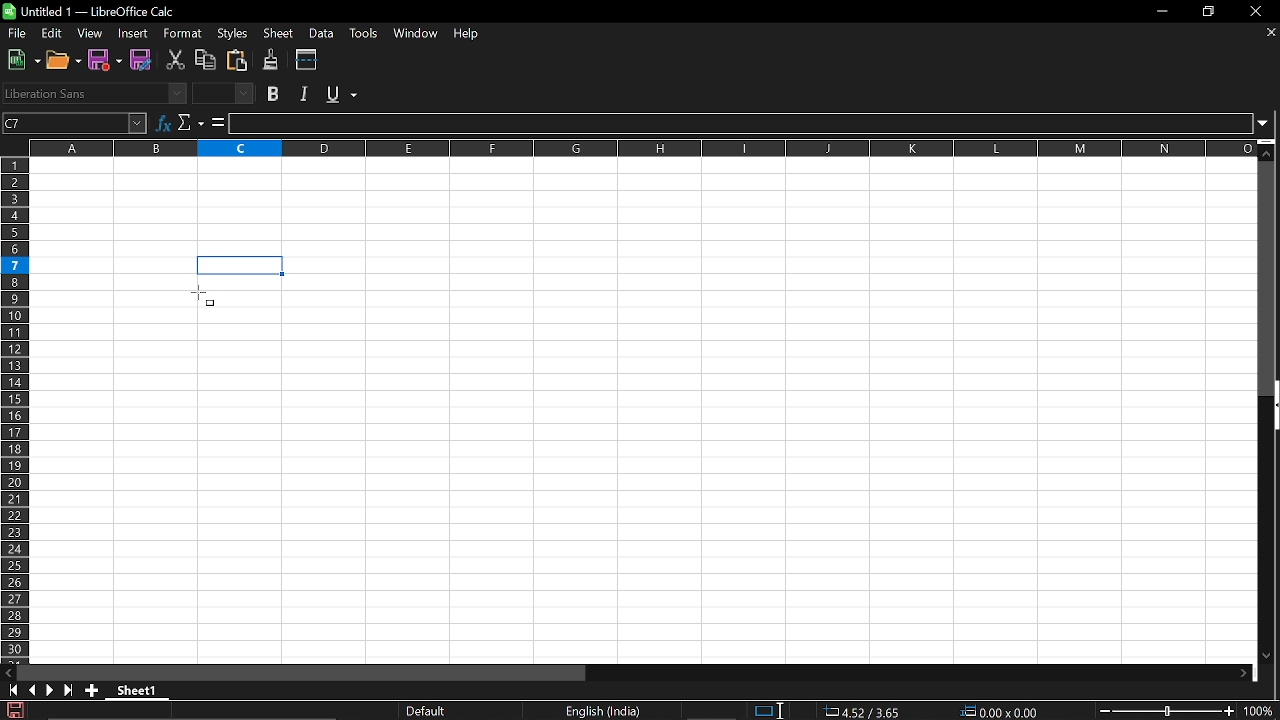 Image resolution: width=1280 pixels, height=720 pixels. I want to click on First sheet, so click(10, 690).